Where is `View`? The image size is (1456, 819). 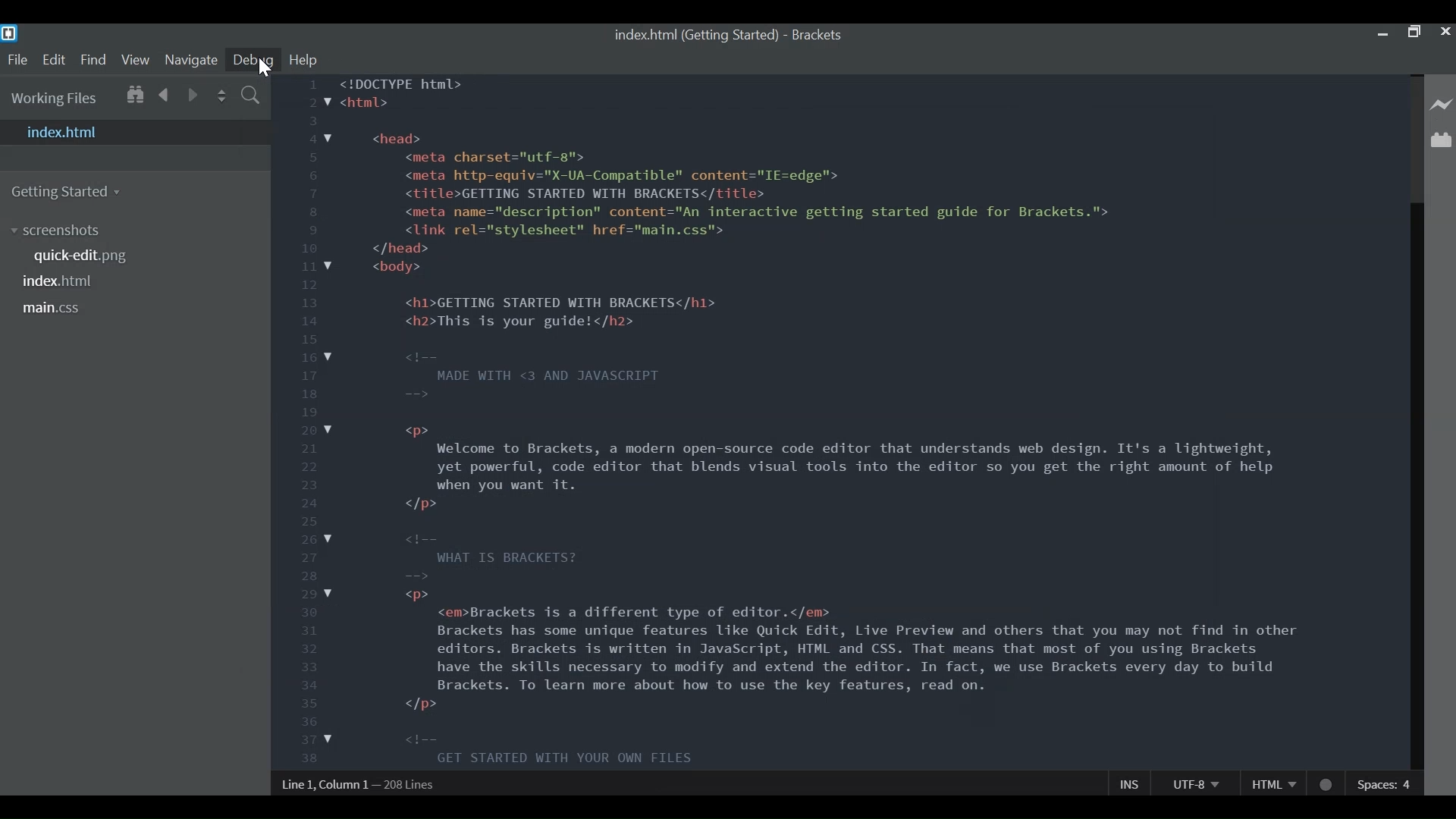 View is located at coordinates (135, 58).